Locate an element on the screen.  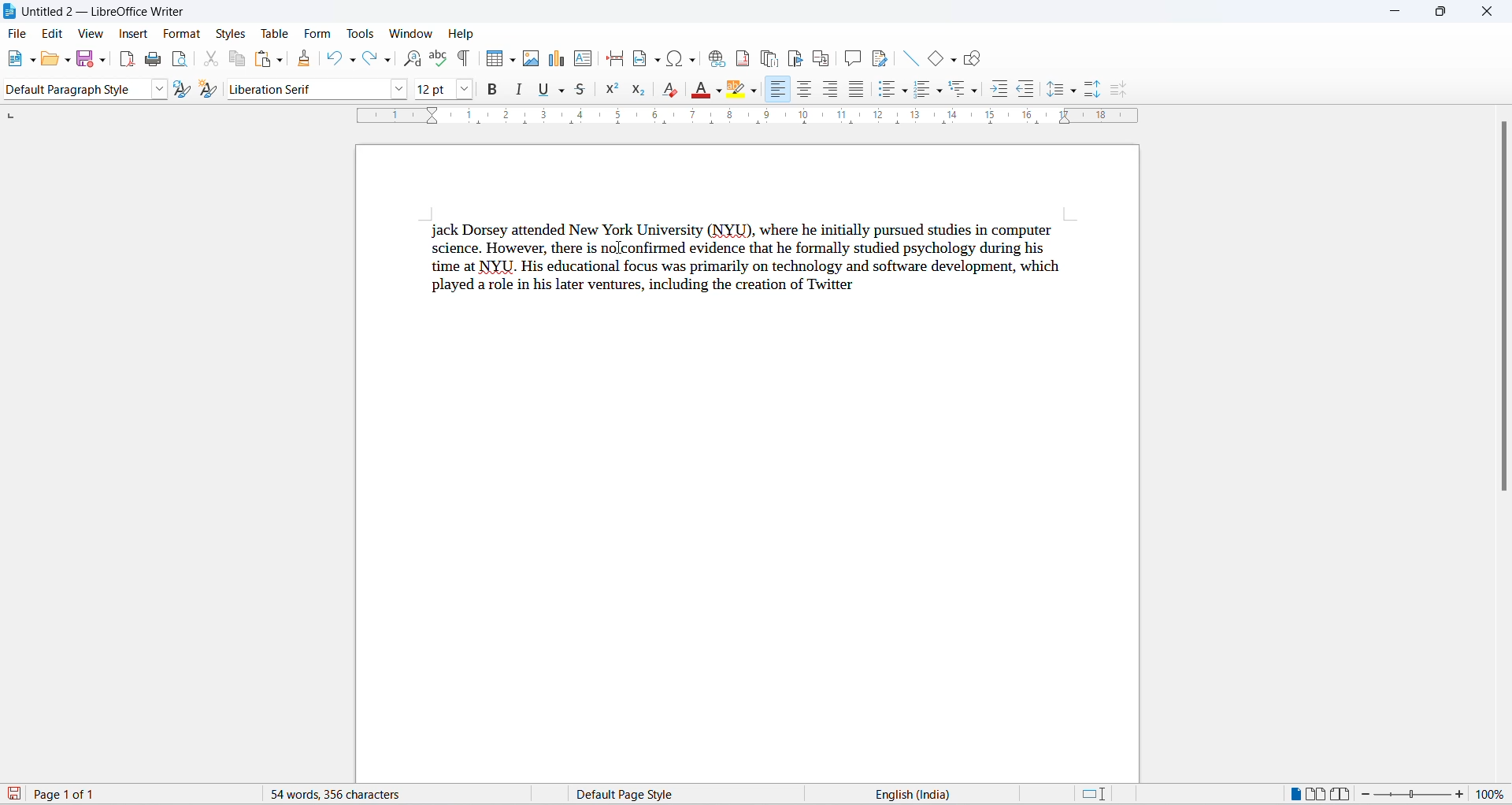
insert images is located at coordinates (534, 58).